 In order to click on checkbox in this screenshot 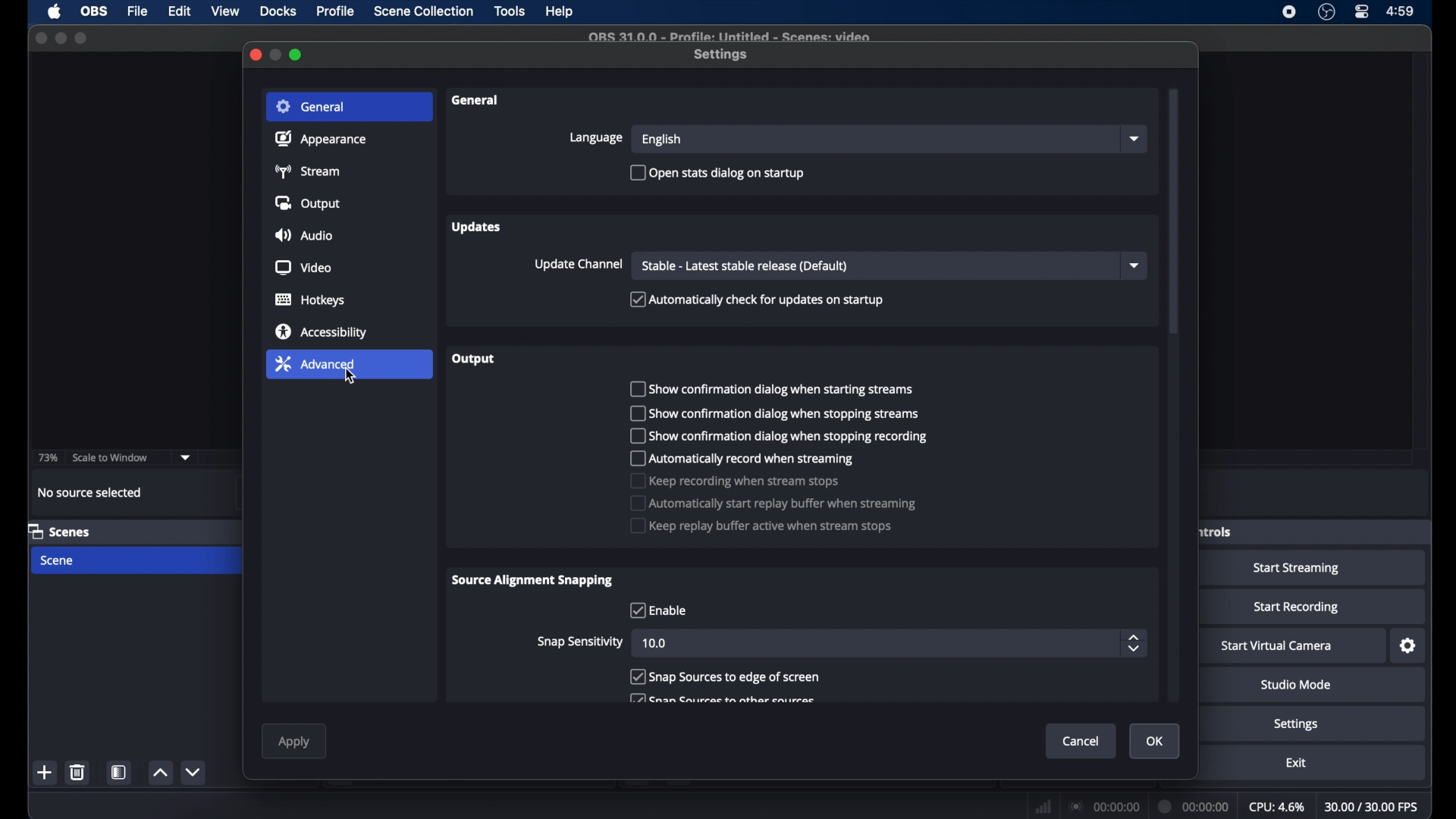, I will do `click(722, 699)`.